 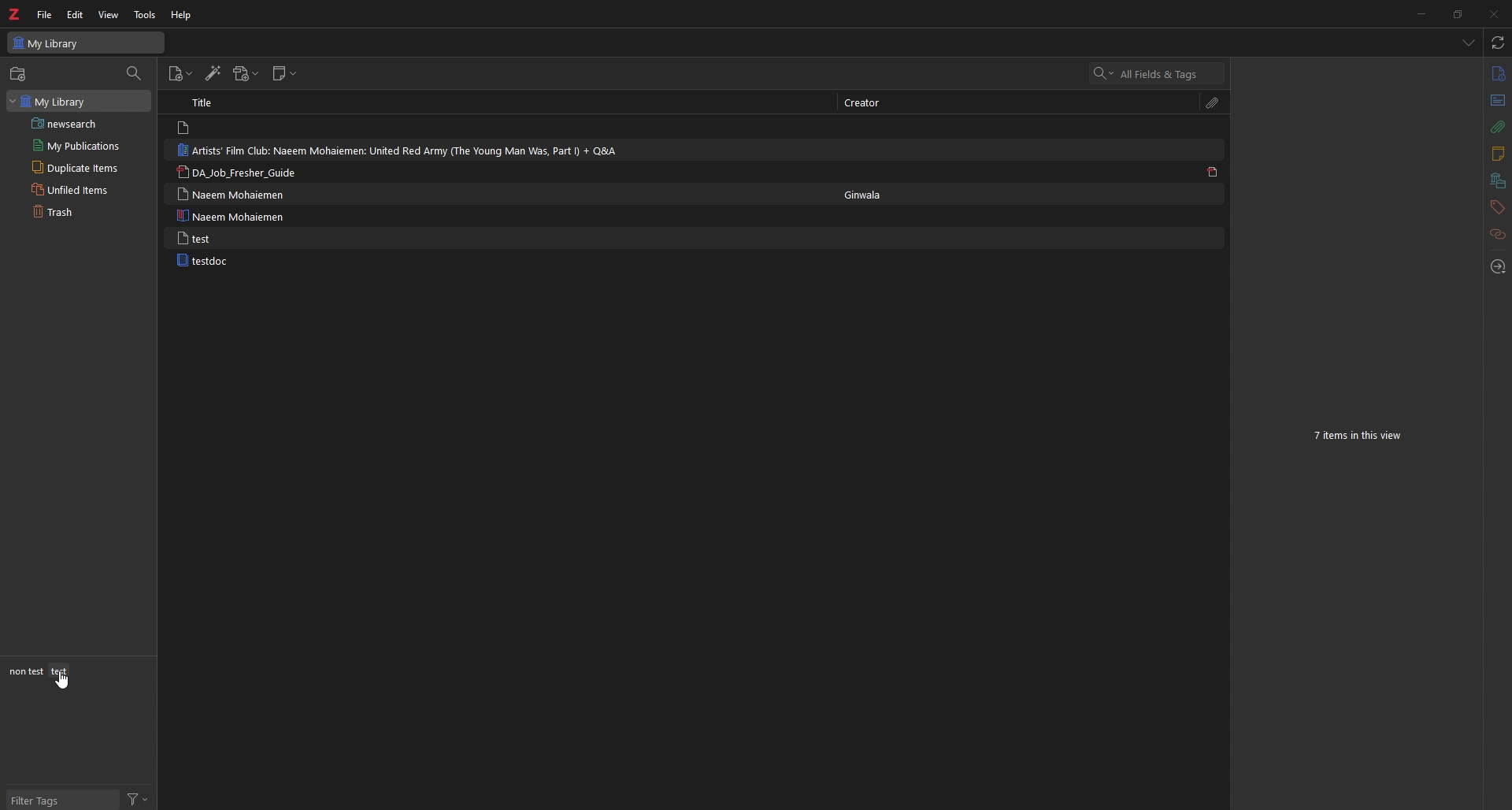 What do you see at coordinates (183, 15) in the screenshot?
I see `help` at bounding box center [183, 15].